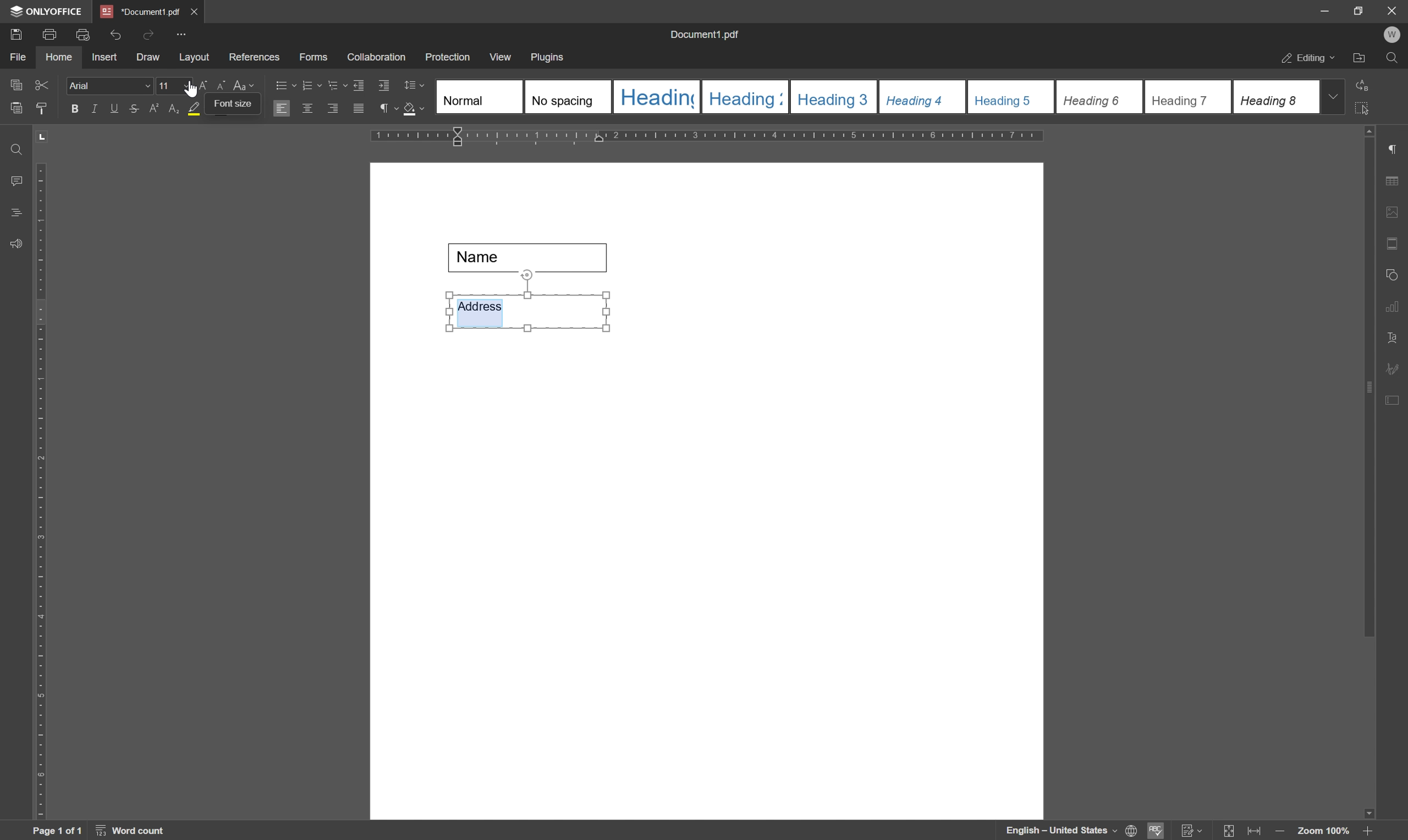 Image resolution: width=1408 pixels, height=840 pixels. What do you see at coordinates (414, 110) in the screenshot?
I see `shading` at bounding box center [414, 110].